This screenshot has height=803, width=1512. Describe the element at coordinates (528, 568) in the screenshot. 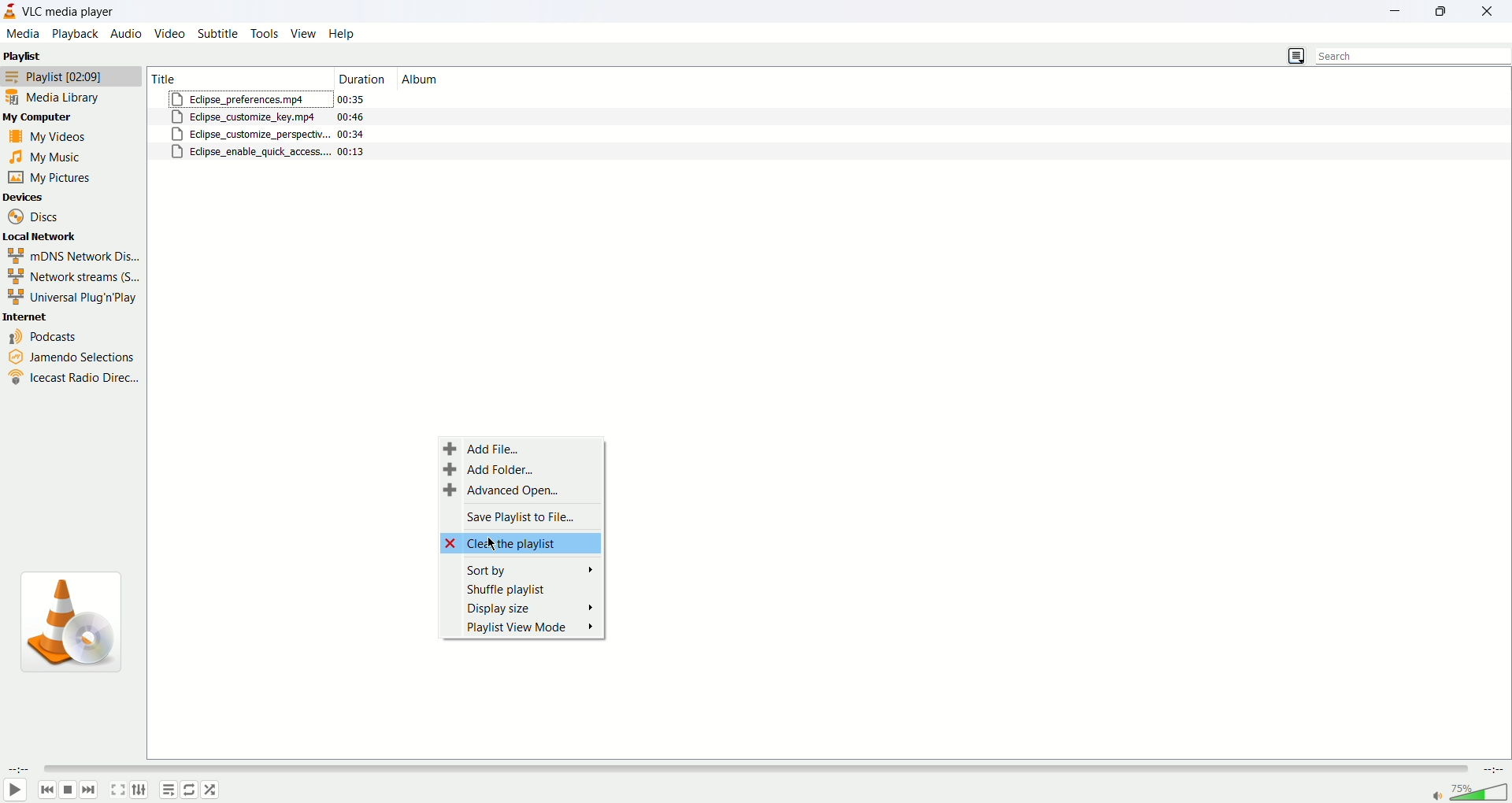

I see `sort` at that location.